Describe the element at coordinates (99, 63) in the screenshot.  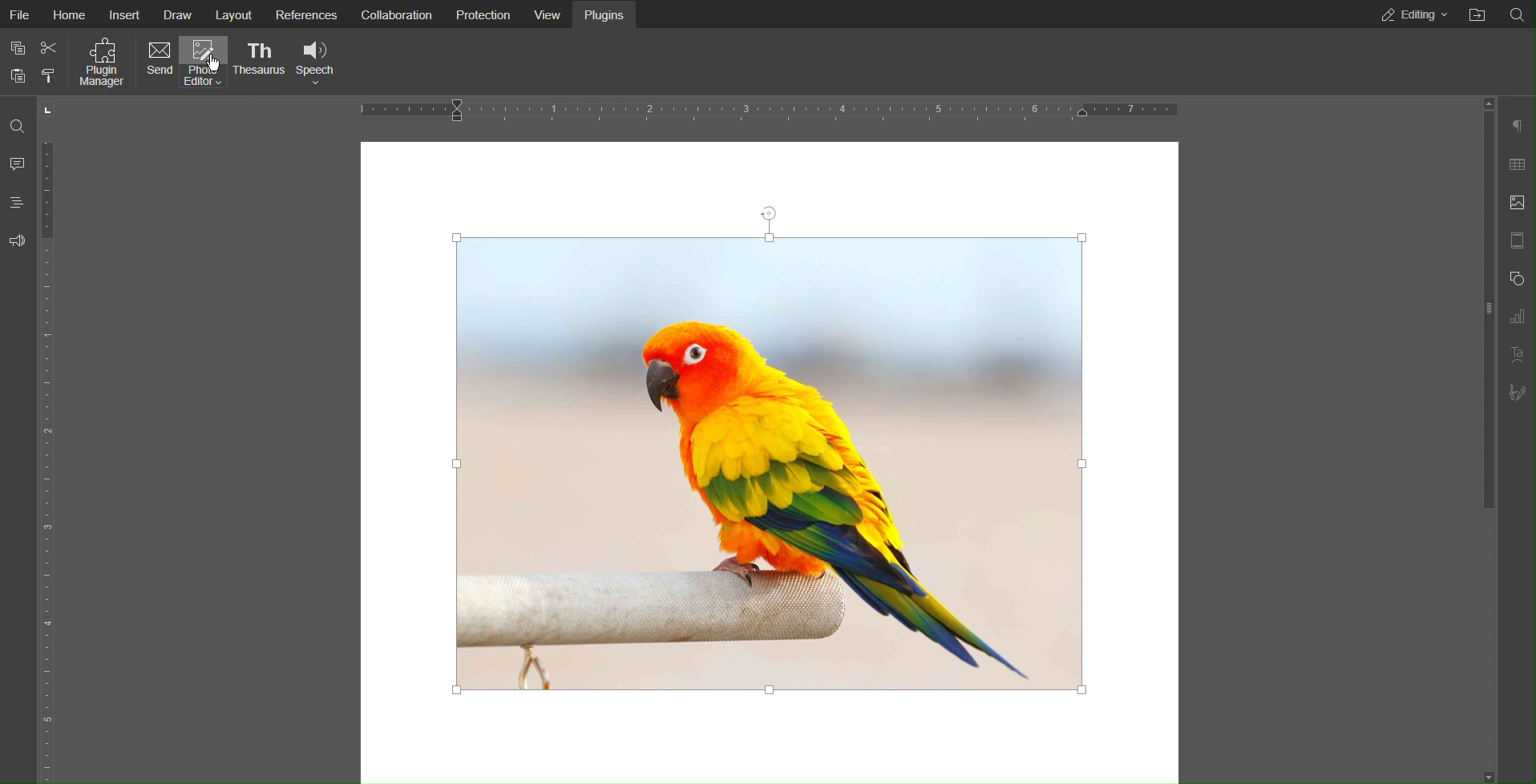
I see `Plugin Manager` at that location.